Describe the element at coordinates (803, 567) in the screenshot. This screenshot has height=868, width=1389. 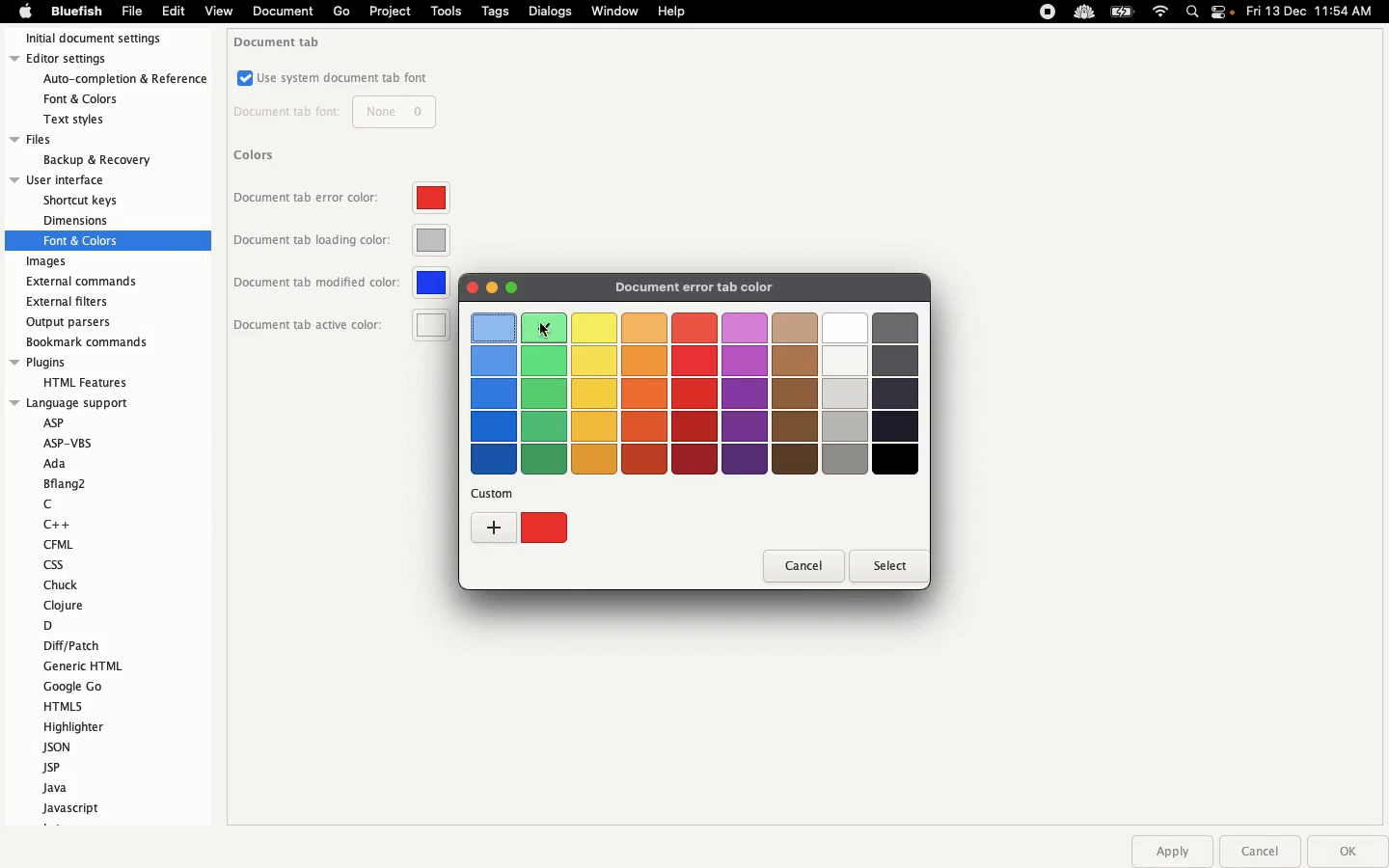
I see `Cancel` at that location.